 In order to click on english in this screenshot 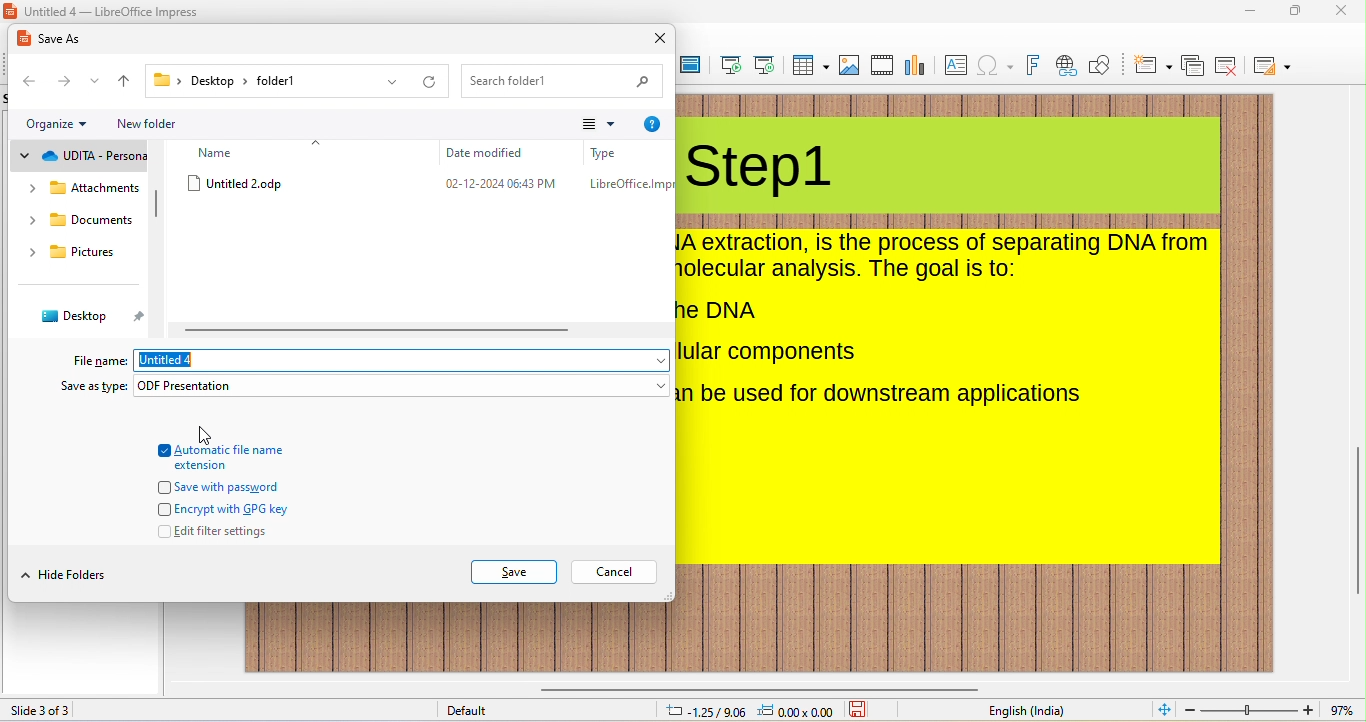, I will do `click(1025, 711)`.